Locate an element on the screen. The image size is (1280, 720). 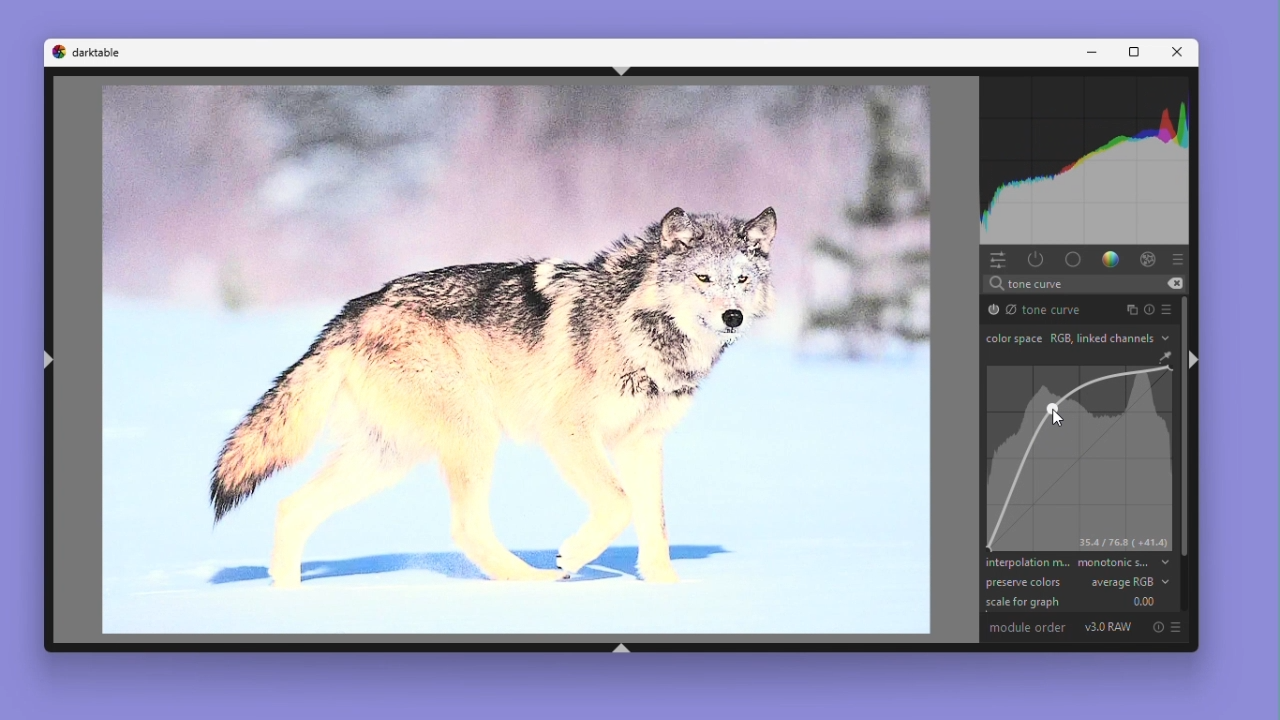
GUI Color Picker is located at coordinates (1163, 358).